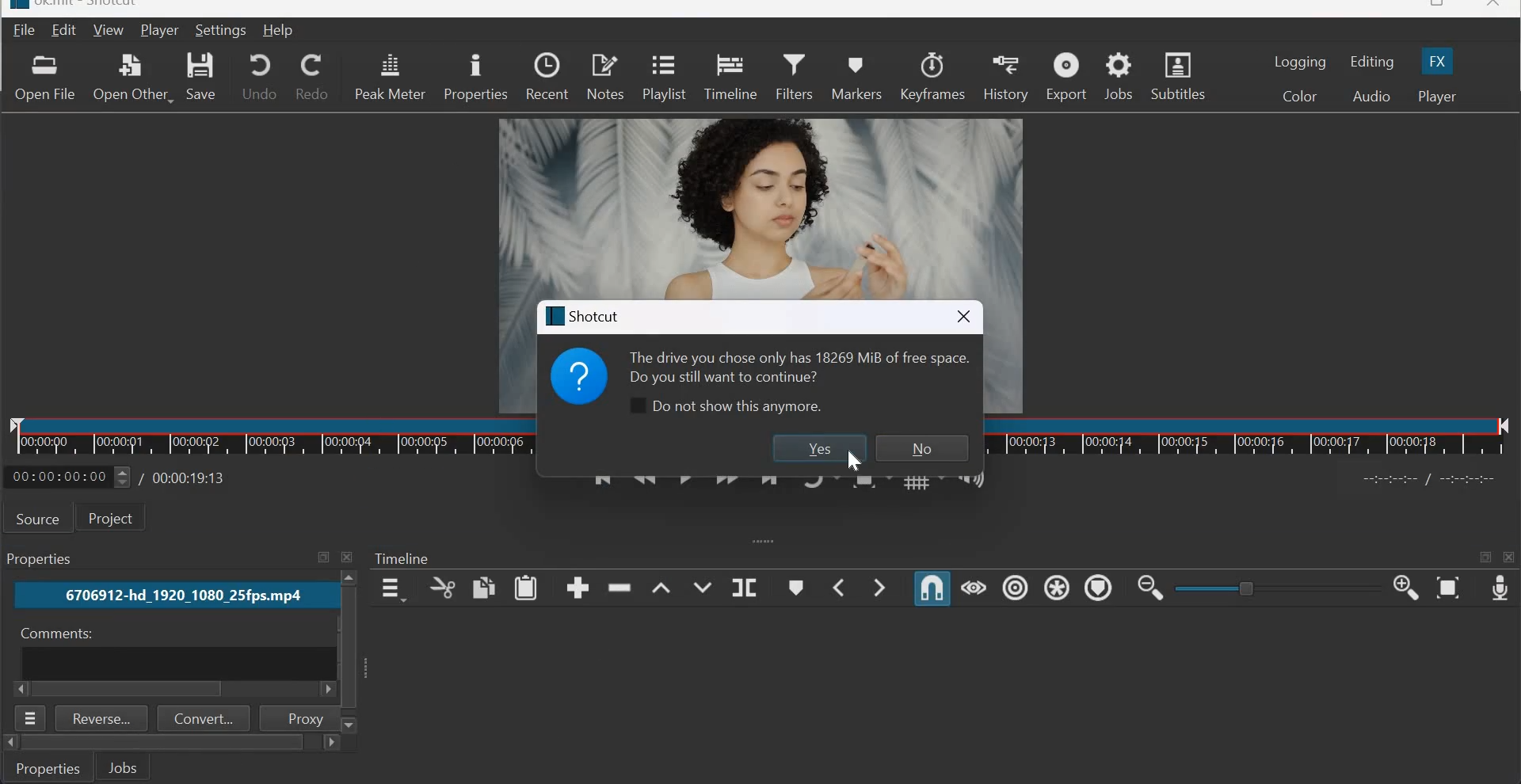  What do you see at coordinates (1119, 77) in the screenshot?
I see `Jobs` at bounding box center [1119, 77].